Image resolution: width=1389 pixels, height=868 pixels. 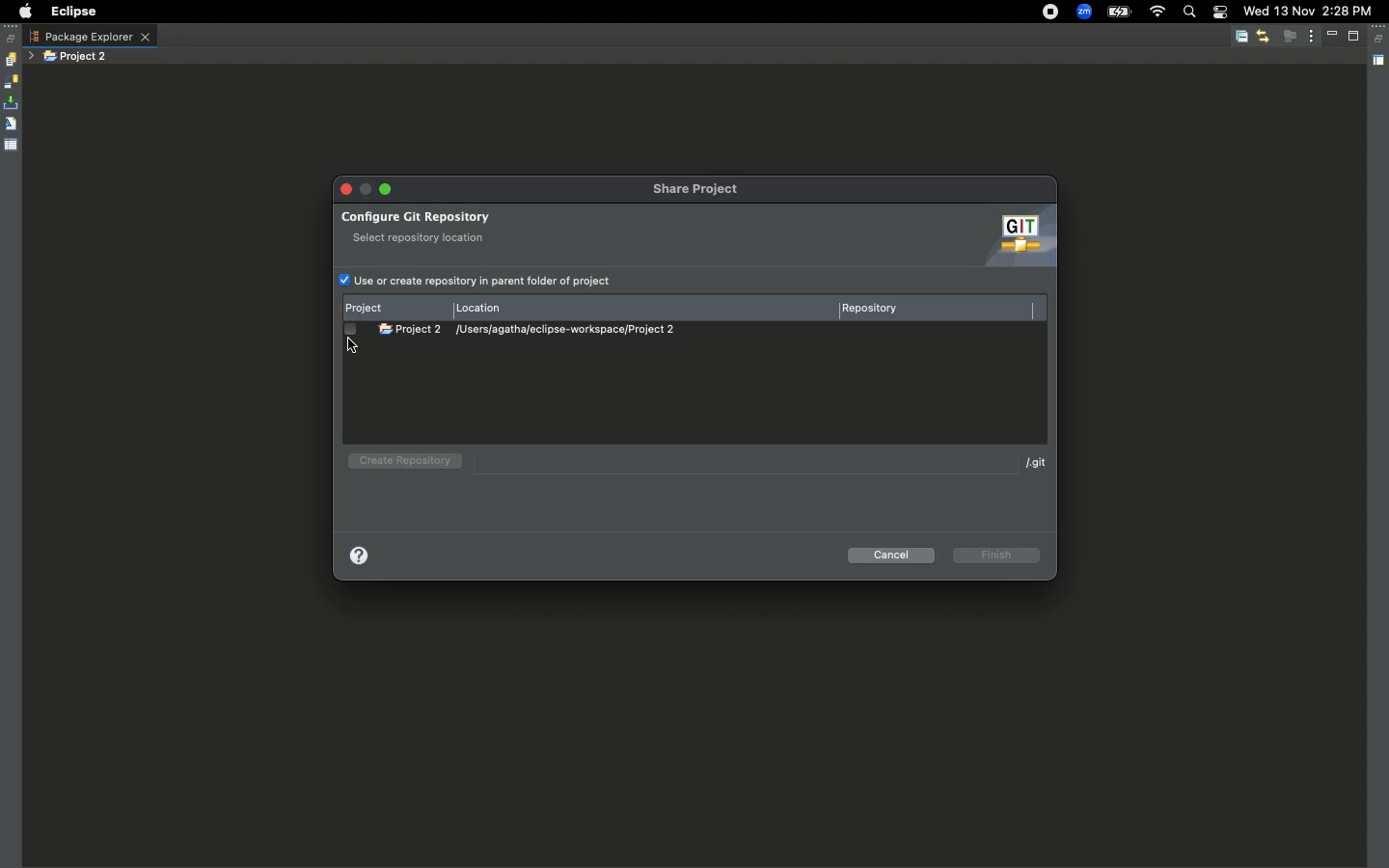 What do you see at coordinates (411, 328) in the screenshot?
I see `Project 2` at bounding box center [411, 328].